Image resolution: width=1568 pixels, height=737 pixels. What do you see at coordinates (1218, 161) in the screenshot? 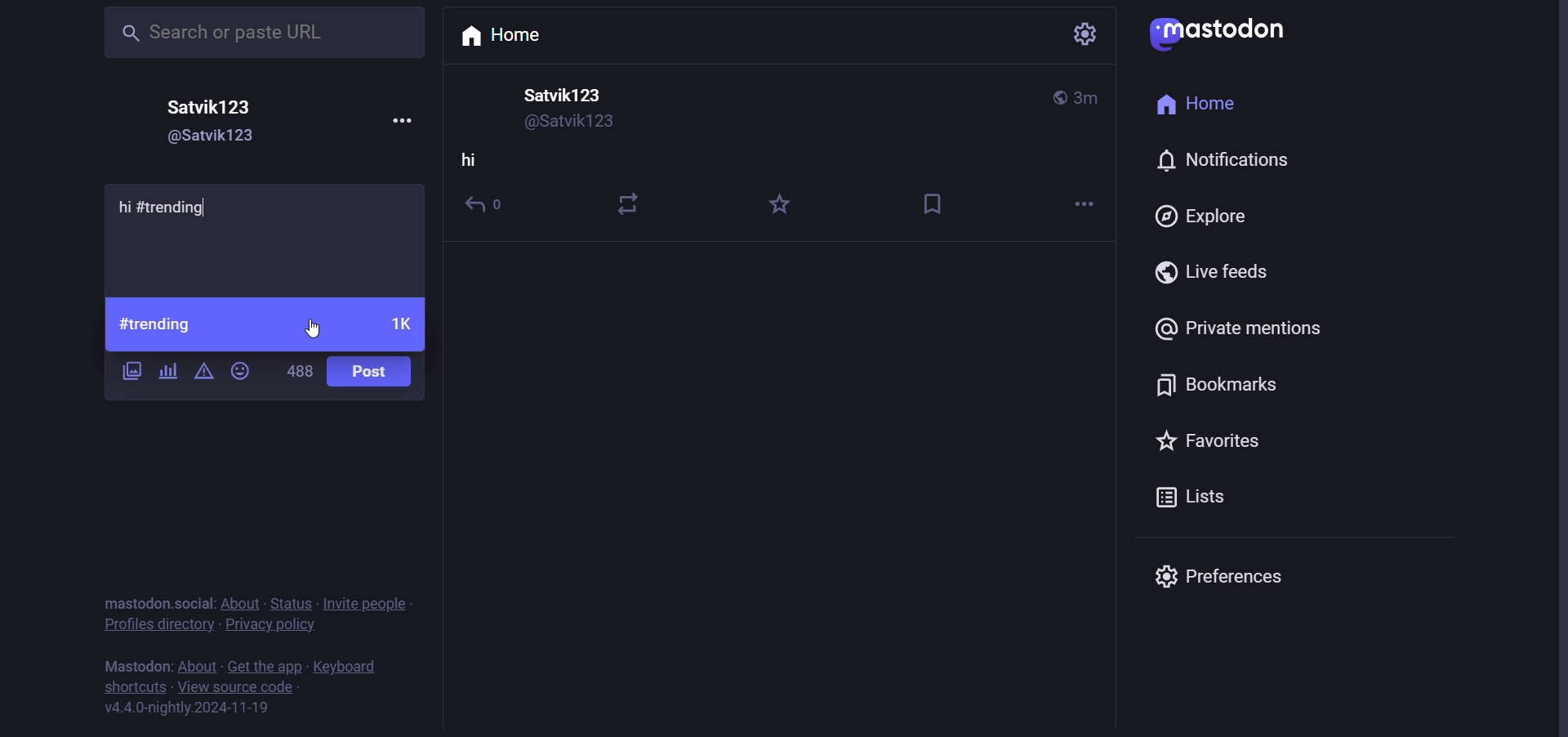
I see `notification` at bounding box center [1218, 161].